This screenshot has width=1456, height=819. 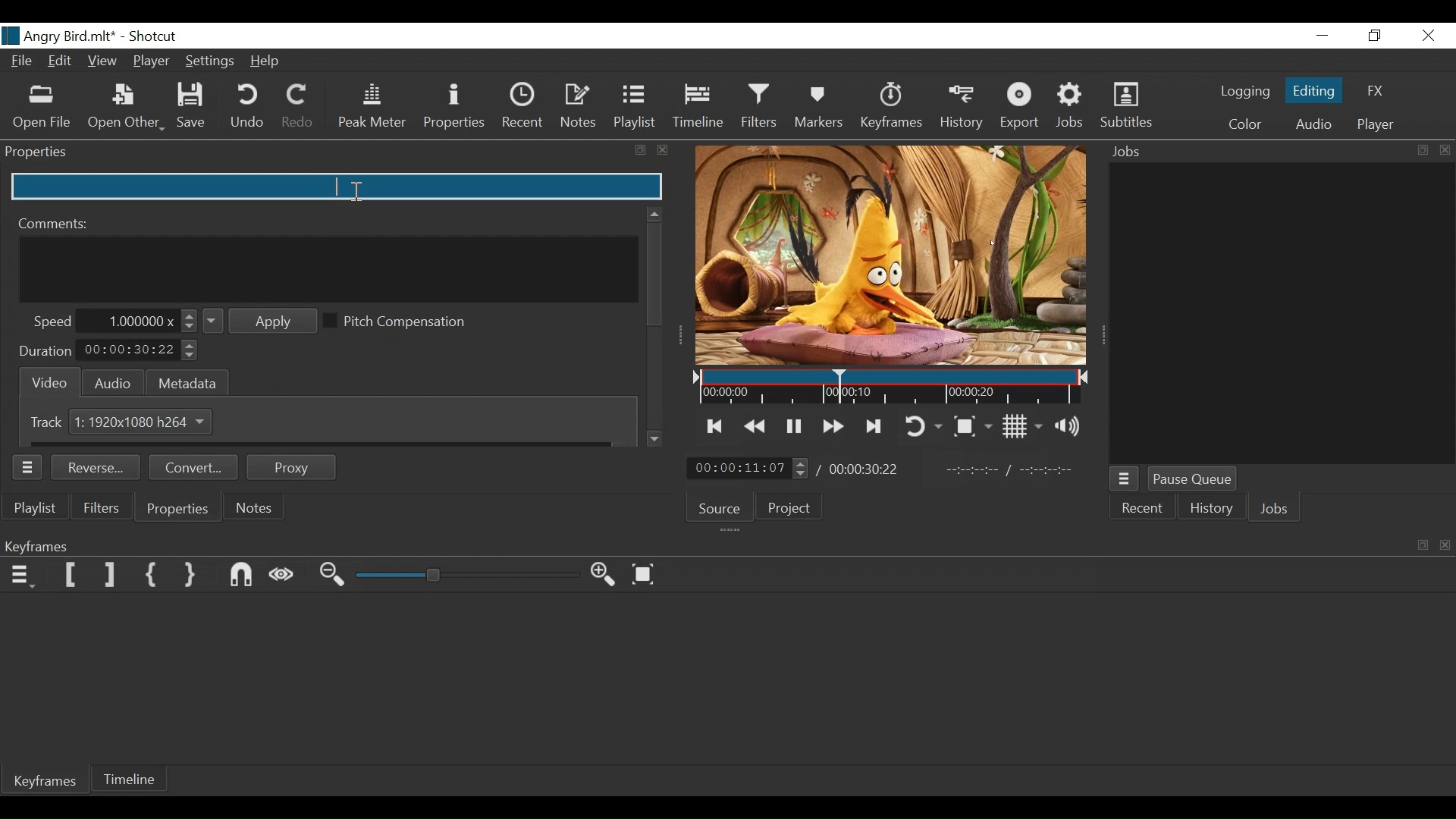 I want to click on Open Other, so click(x=127, y=108).